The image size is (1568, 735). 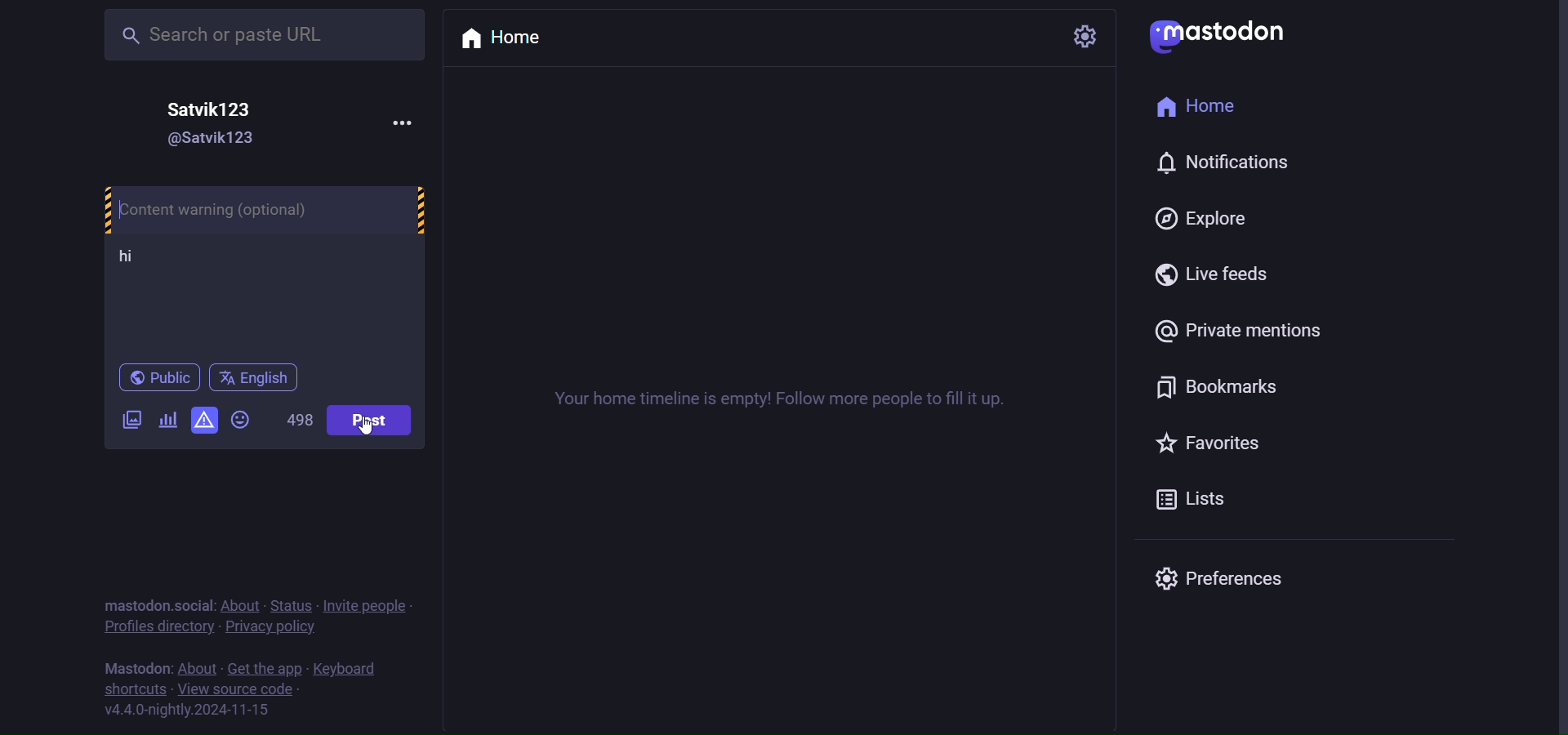 I want to click on invite people, so click(x=372, y=606).